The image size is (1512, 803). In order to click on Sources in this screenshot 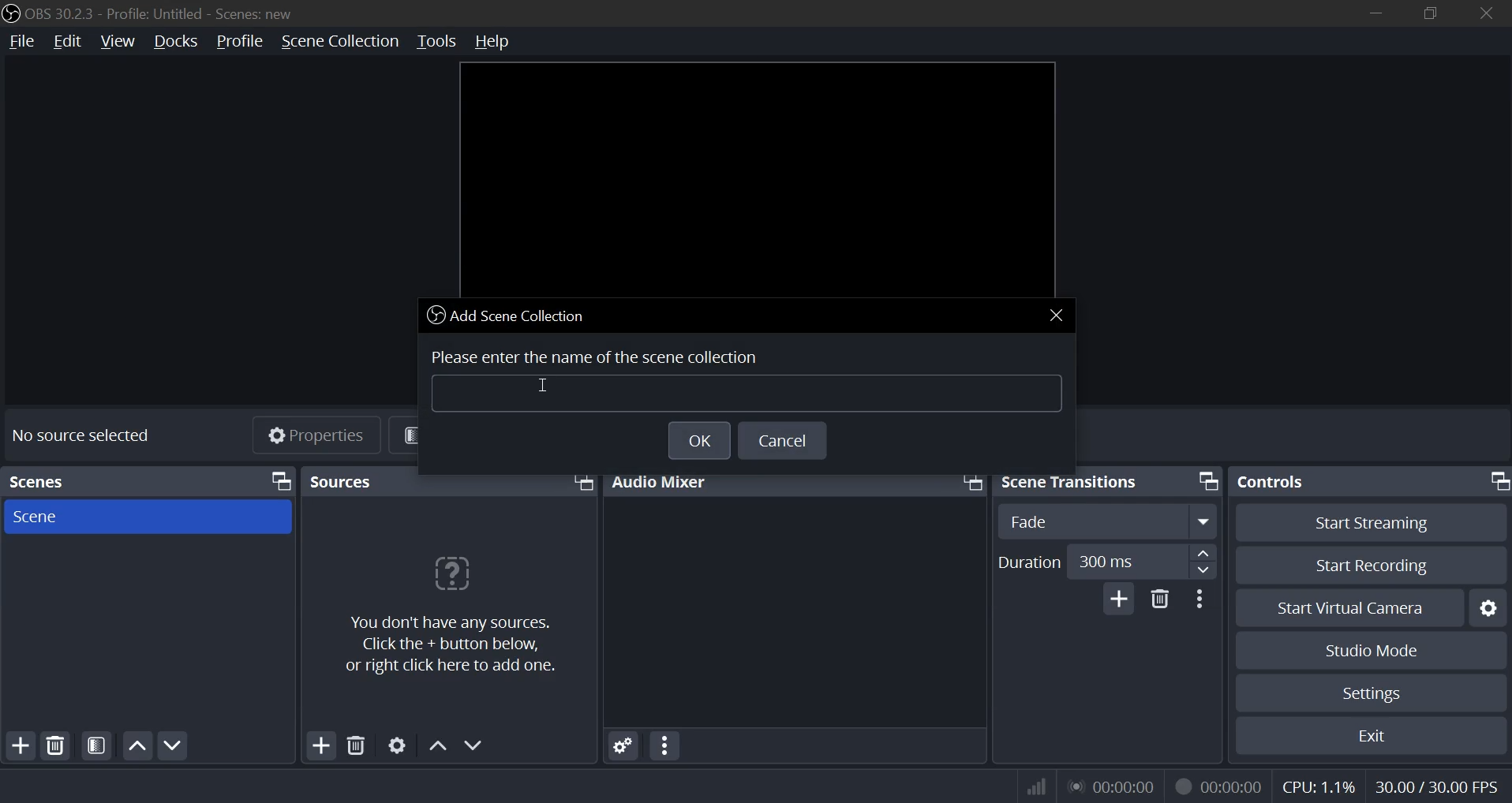, I will do `click(346, 481)`.